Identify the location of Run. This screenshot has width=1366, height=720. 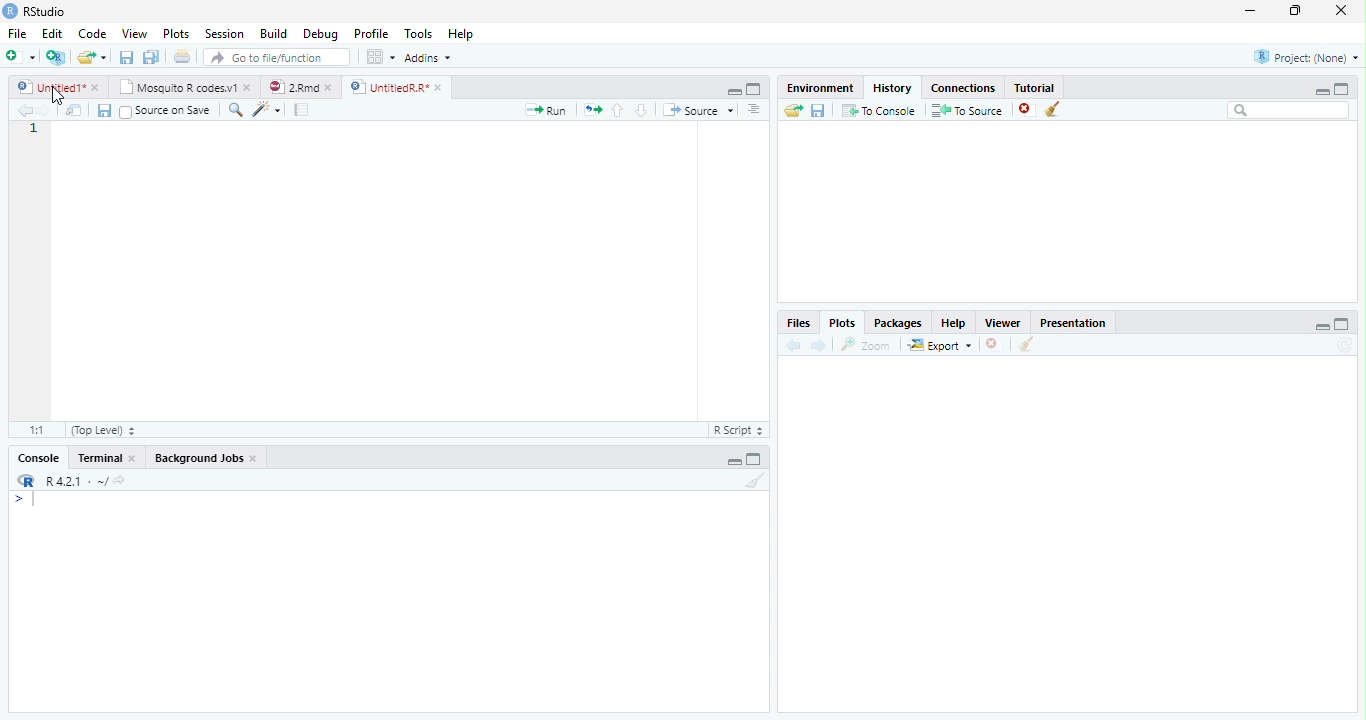
(544, 110).